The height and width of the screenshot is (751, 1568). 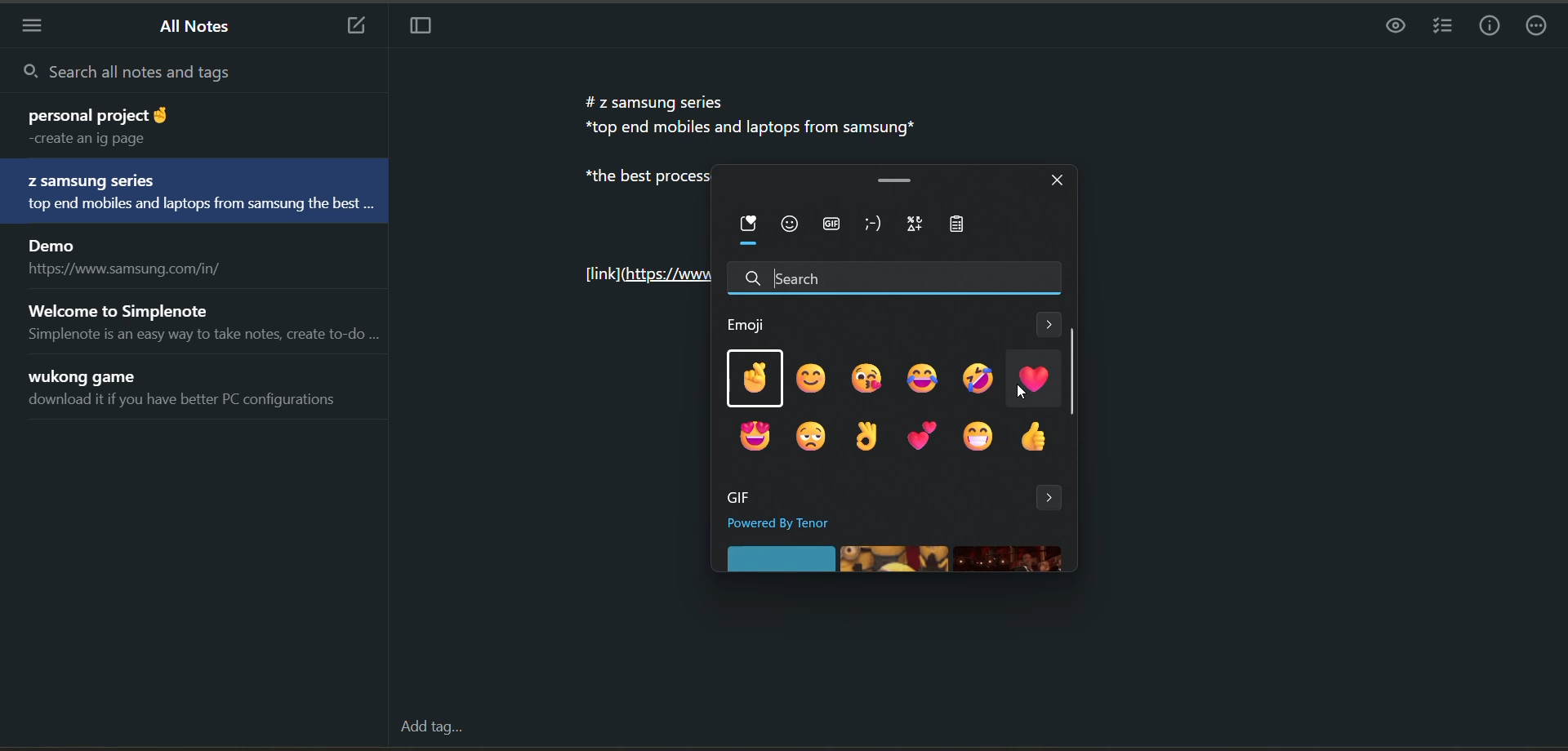 What do you see at coordinates (791, 224) in the screenshot?
I see `emoji` at bounding box center [791, 224].